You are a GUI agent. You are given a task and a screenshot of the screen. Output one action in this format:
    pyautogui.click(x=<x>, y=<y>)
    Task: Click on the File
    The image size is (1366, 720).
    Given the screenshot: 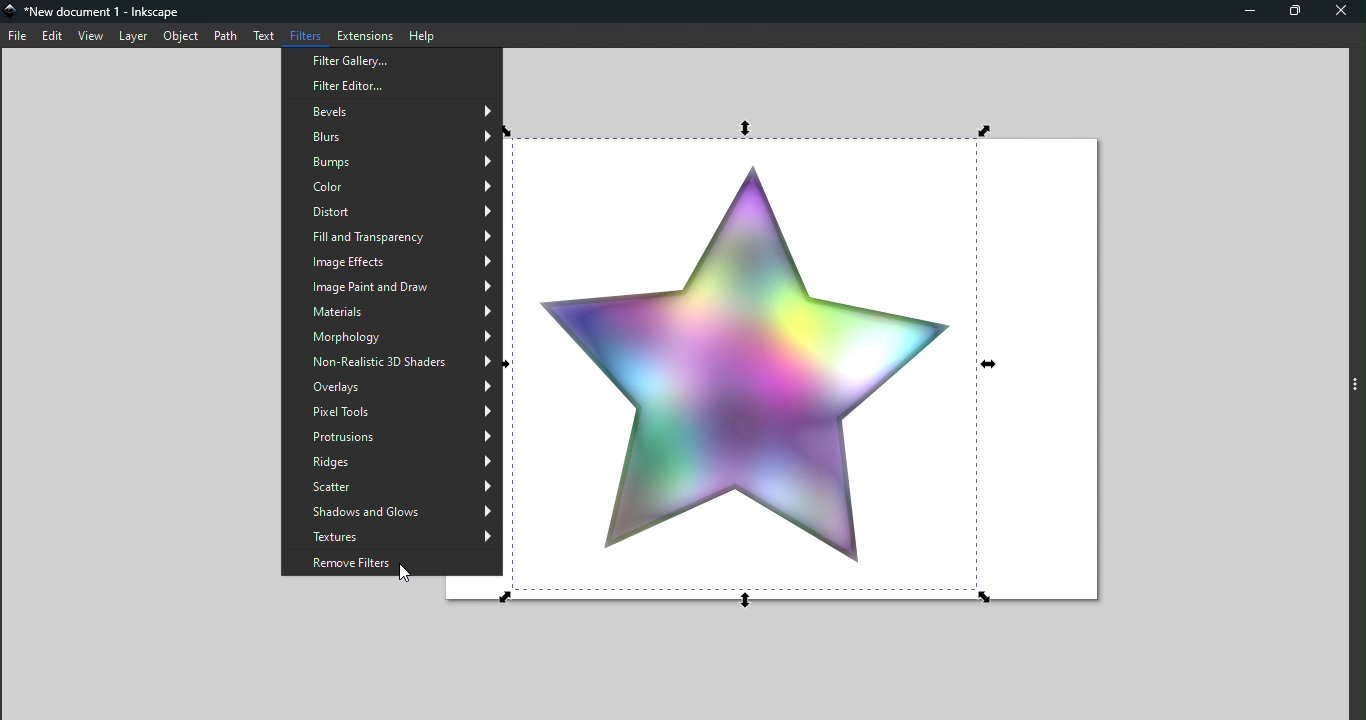 What is the action you would take?
    pyautogui.click(x=17, y=35)
    